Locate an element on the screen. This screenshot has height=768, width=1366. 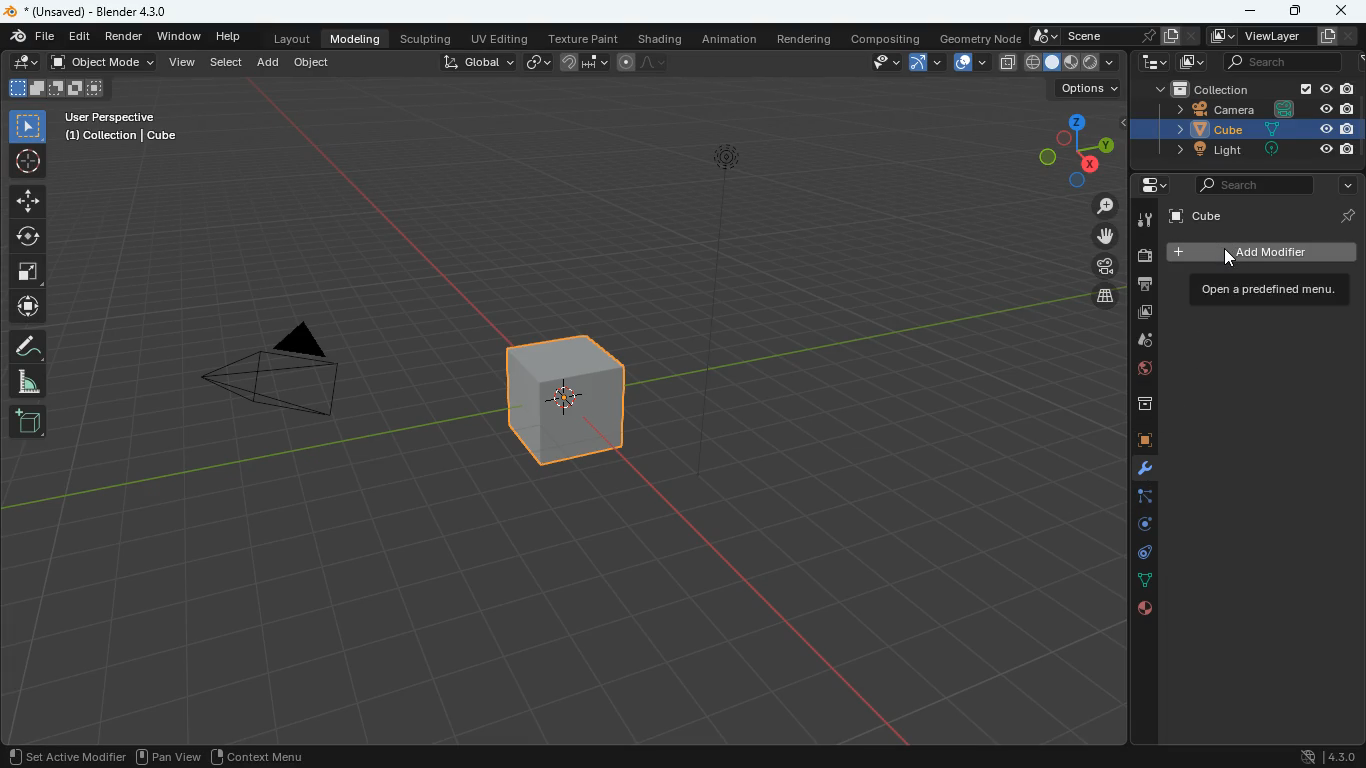
drop is located at coordinates (1137, 341).